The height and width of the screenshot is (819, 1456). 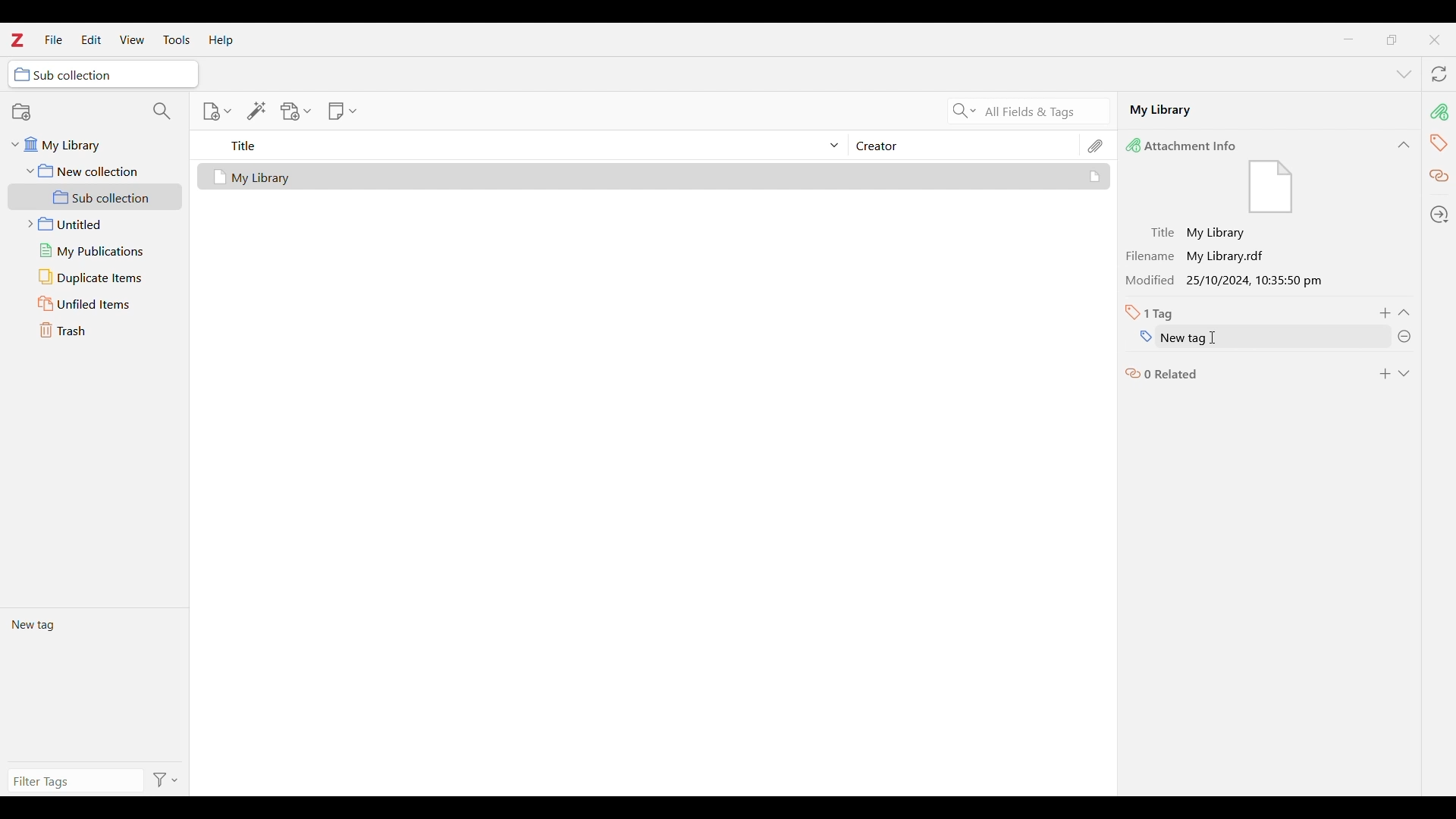 I want to click on Type in name of new tag, so click(x=1249, y=337).